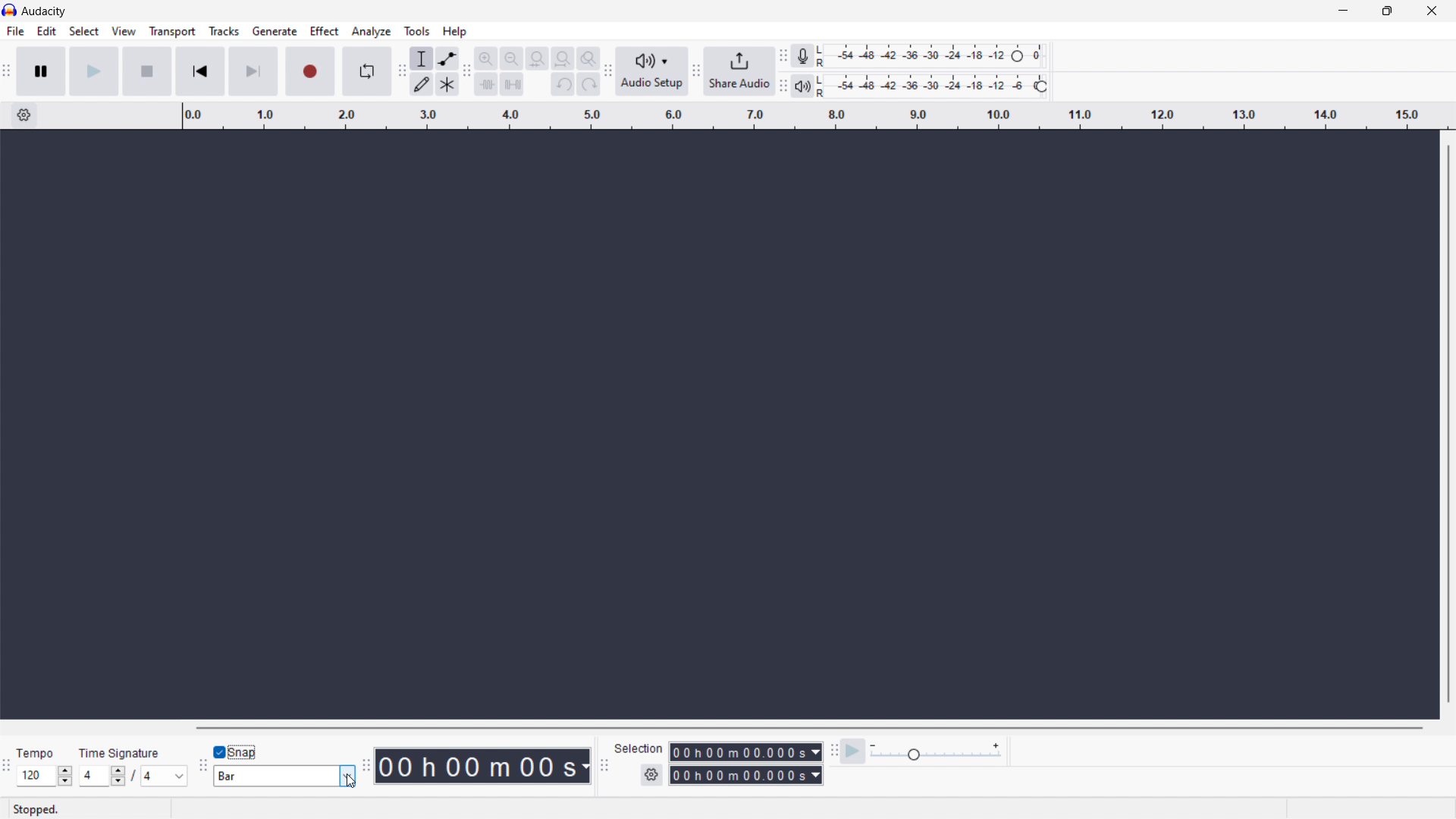 The image size is (1456, 819). I want to click on selection tool, so click(420, 58).